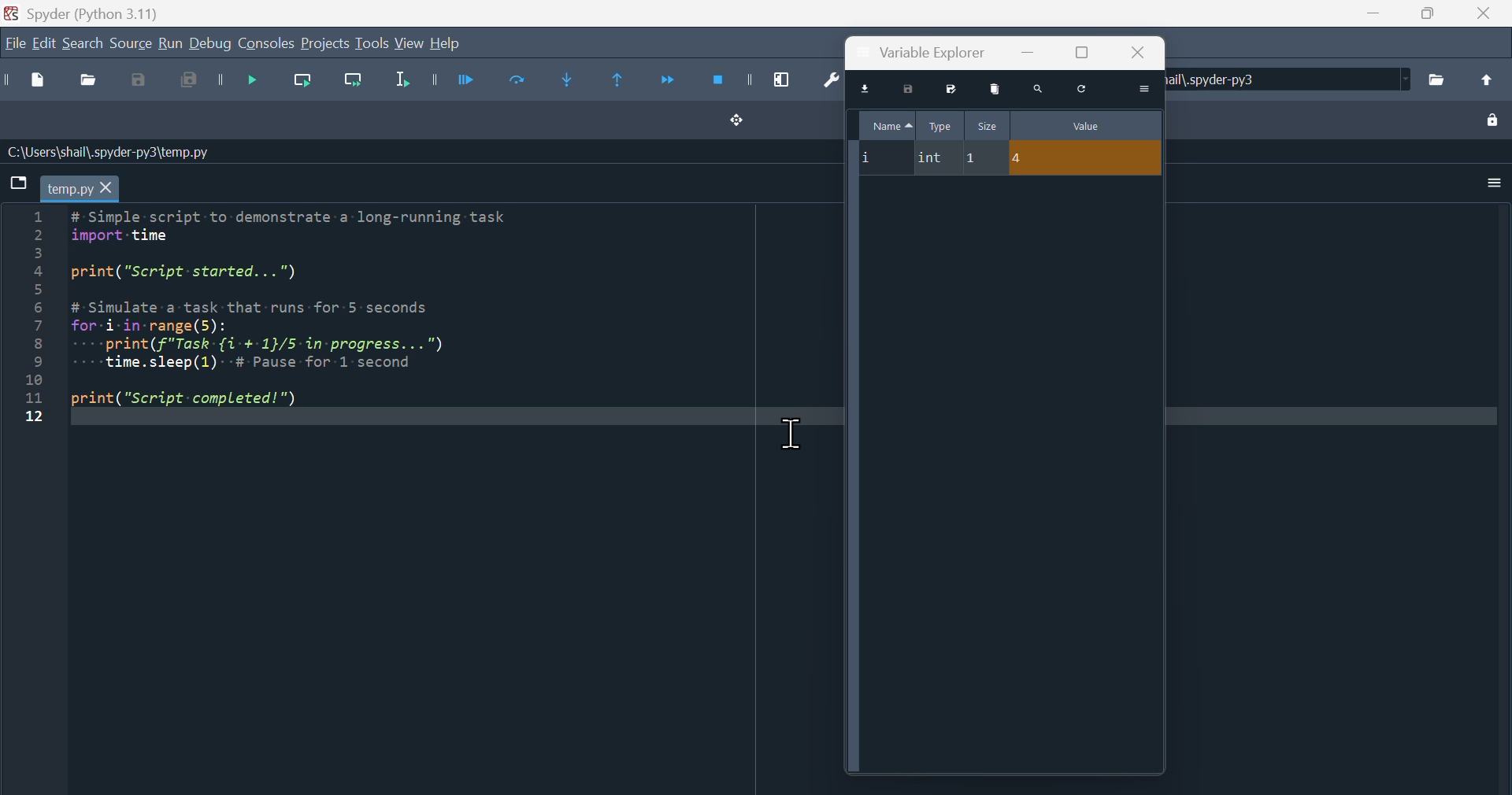 The width and height of the screenshot is (1512, 795). Describe the element at coordinates (667, 83) in the screenshot. I see `Continue execution until next function` at that location.